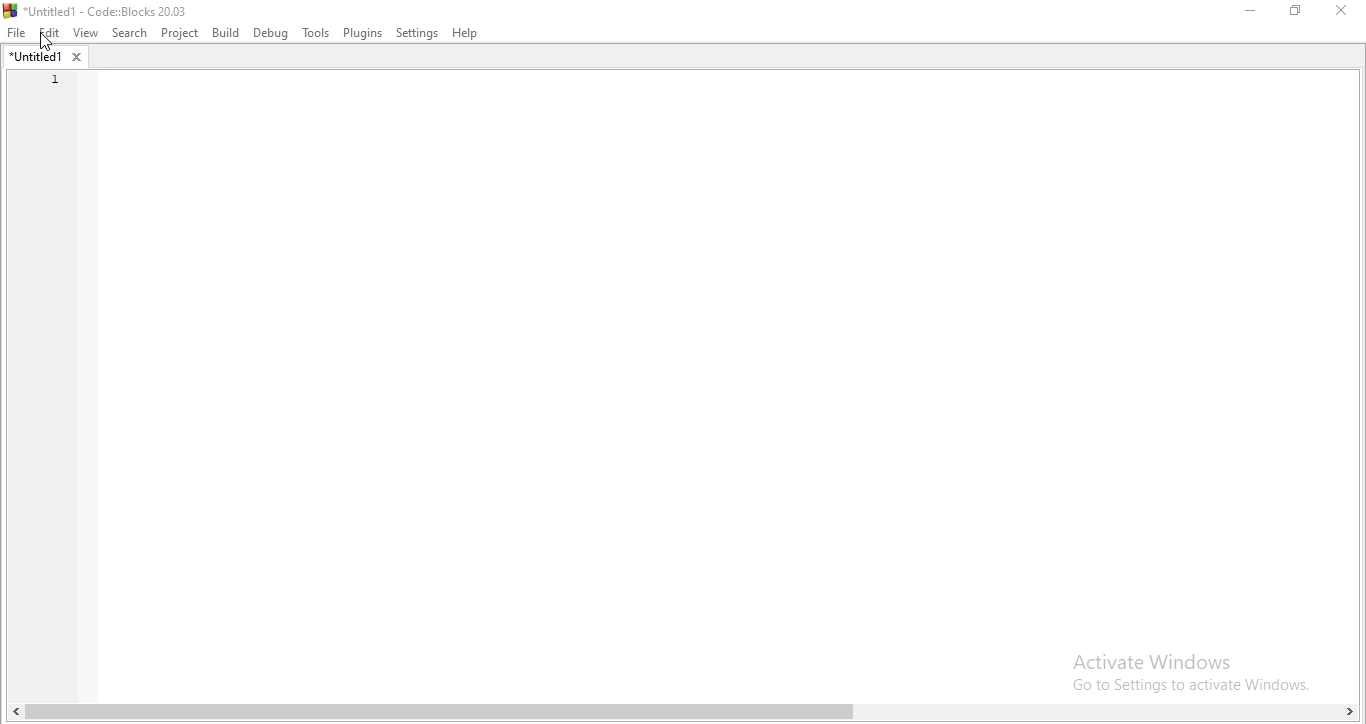 This screenshot has height=724, width=1366. What do you see at coordinates (182, 33) in the screenshot?
I see `Project ` at bounding box center [182, 33].